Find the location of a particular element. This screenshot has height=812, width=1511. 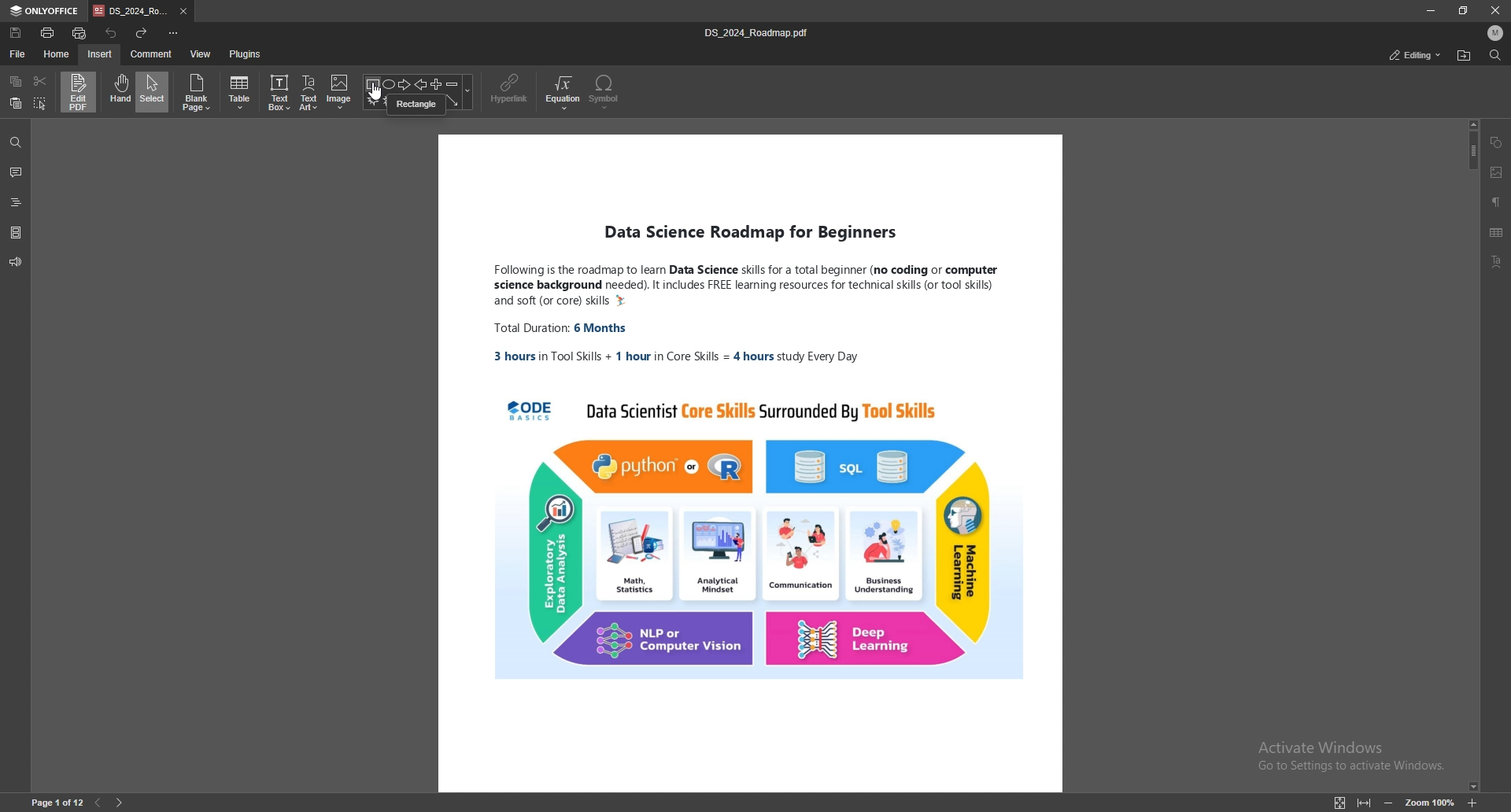

undo is located at coordinates (111, 32).